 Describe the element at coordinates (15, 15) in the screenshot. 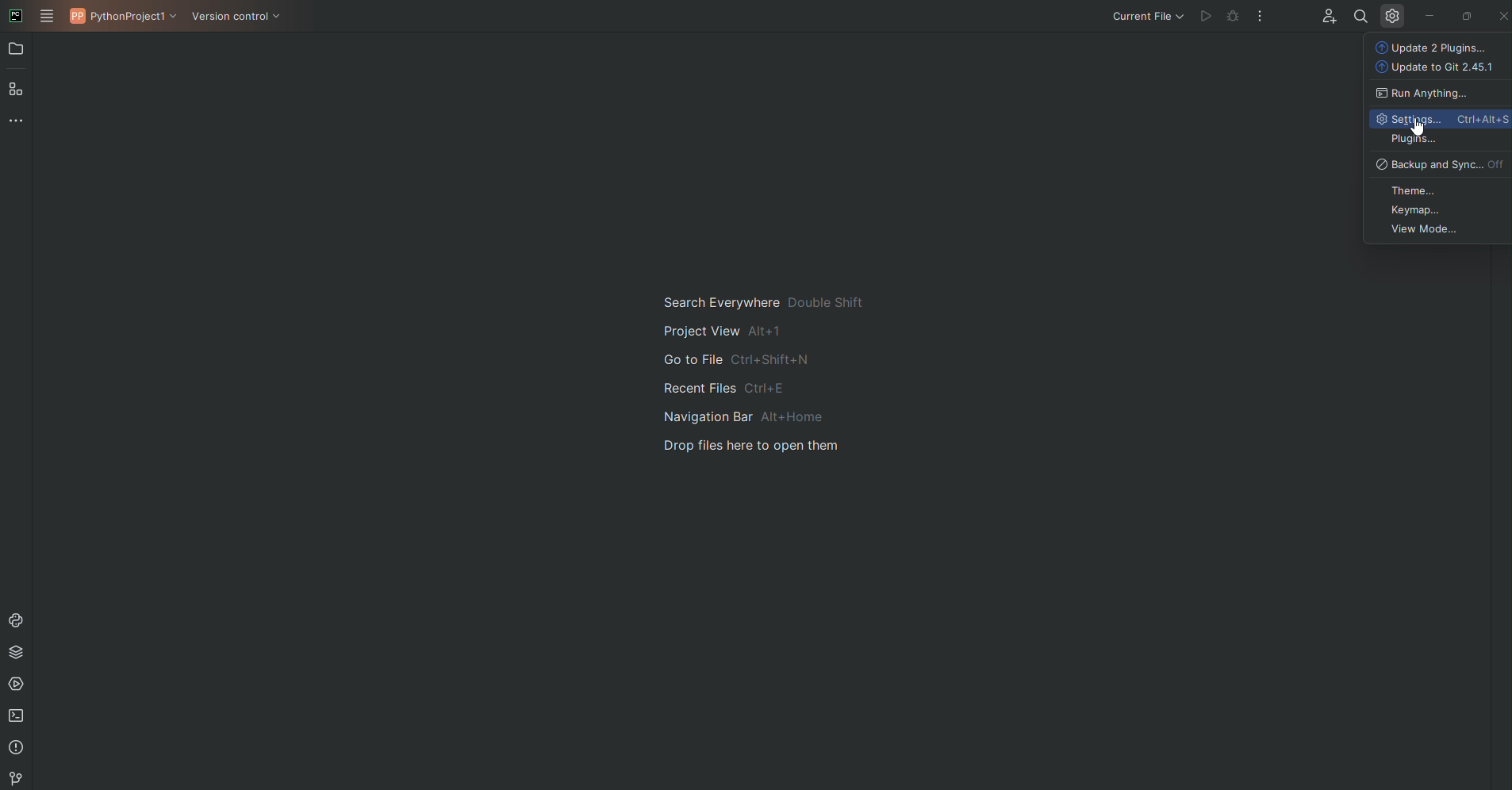

I see `PyCharm` at that location.